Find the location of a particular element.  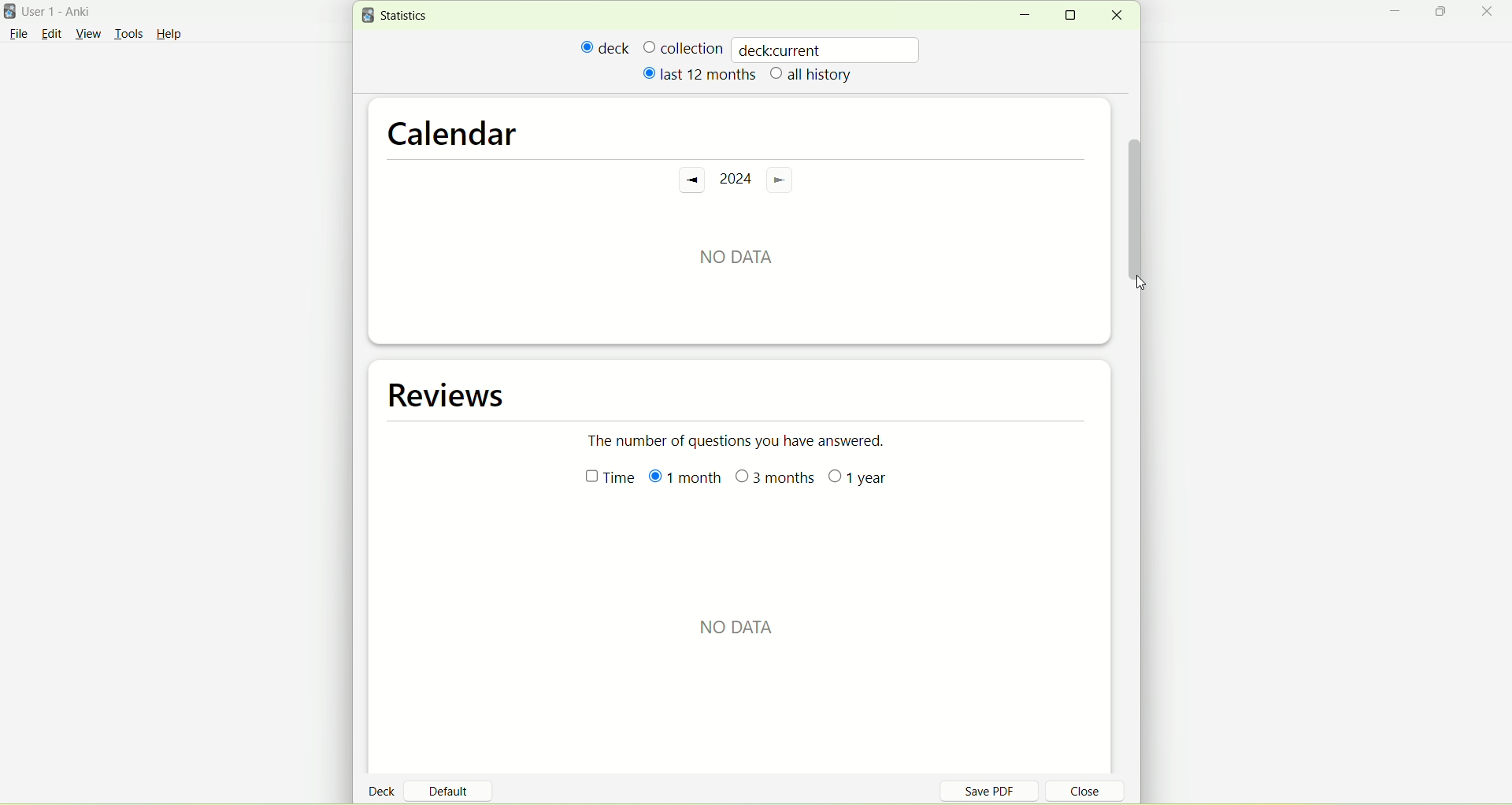

close is located at coordinates (1490, 13).